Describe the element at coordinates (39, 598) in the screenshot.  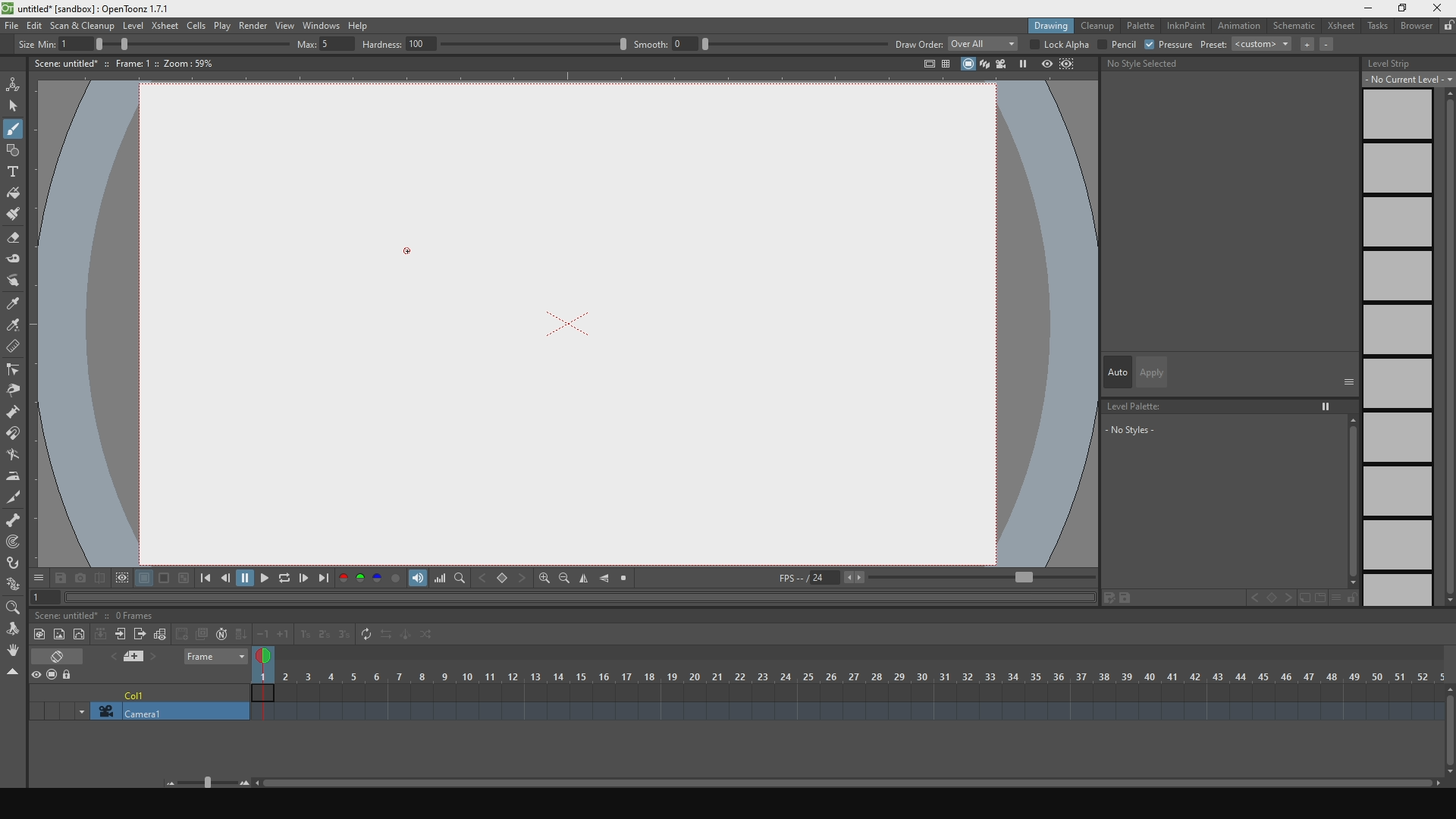
I see `1` at that location.